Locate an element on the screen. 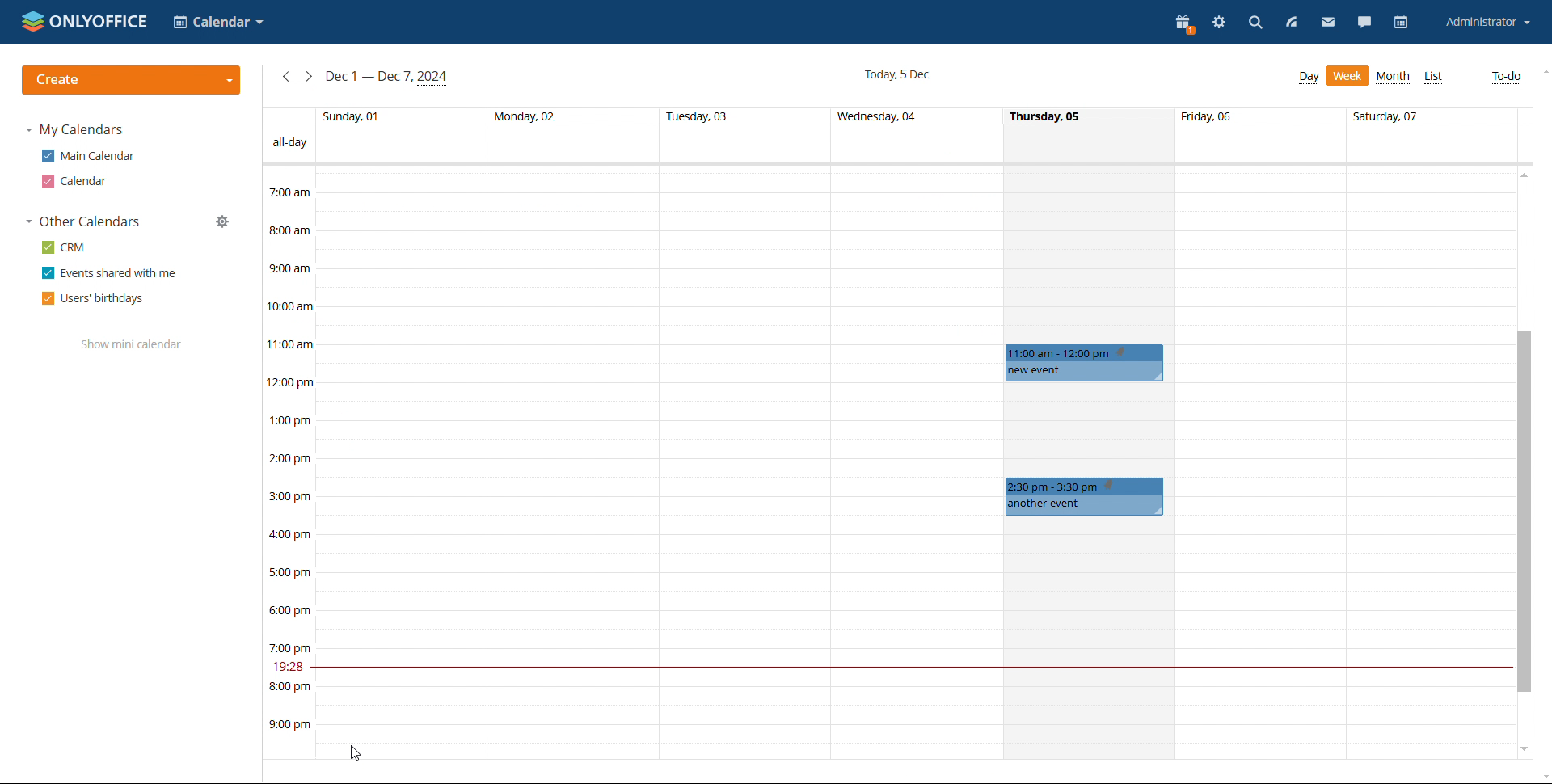 The height and width of the screenshot is (784, 1552). scroll up is located at coordinates (1523, 175).